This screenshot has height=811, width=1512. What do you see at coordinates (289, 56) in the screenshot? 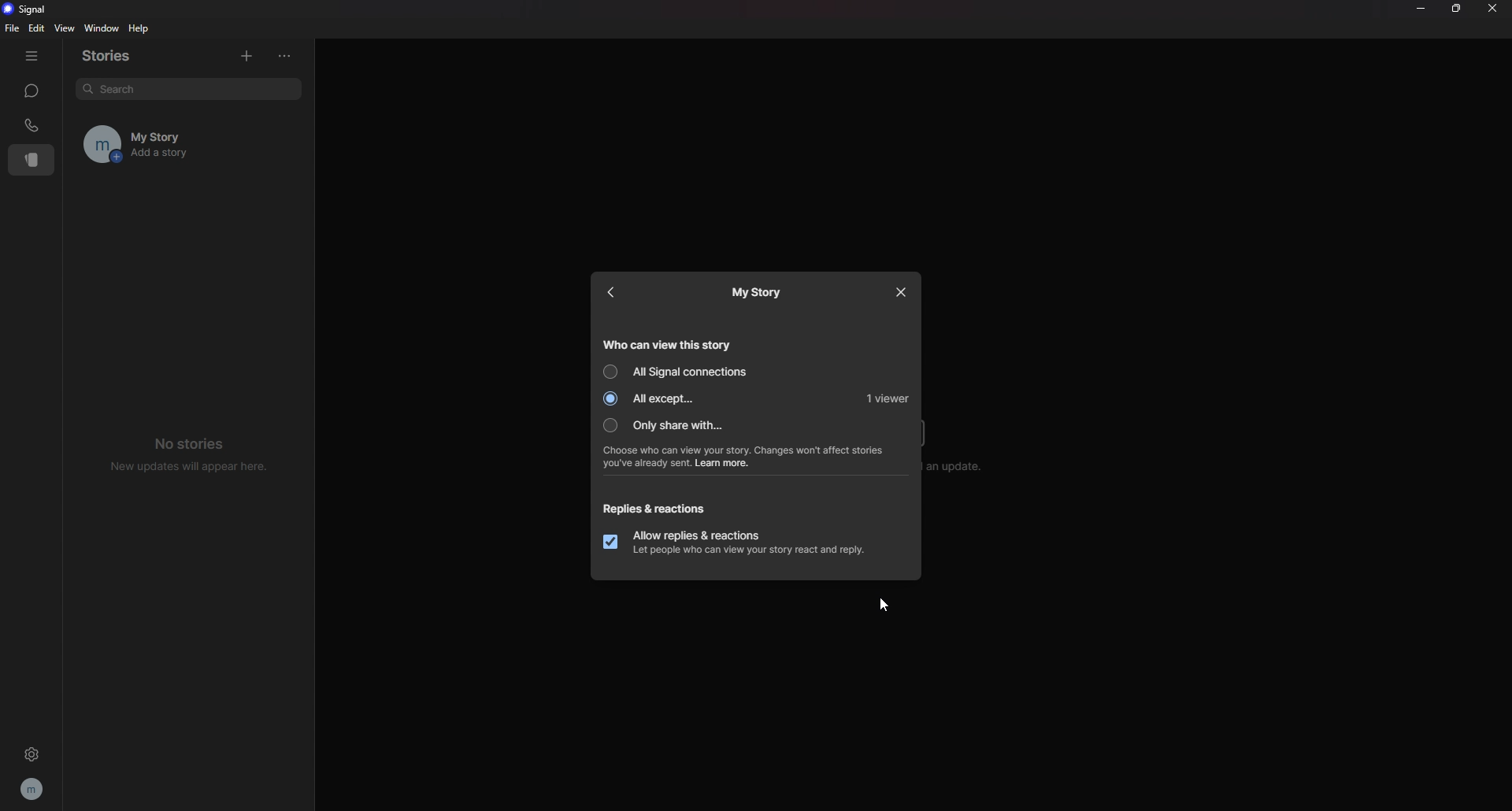
I see `options` at bounding box center [289, 56].